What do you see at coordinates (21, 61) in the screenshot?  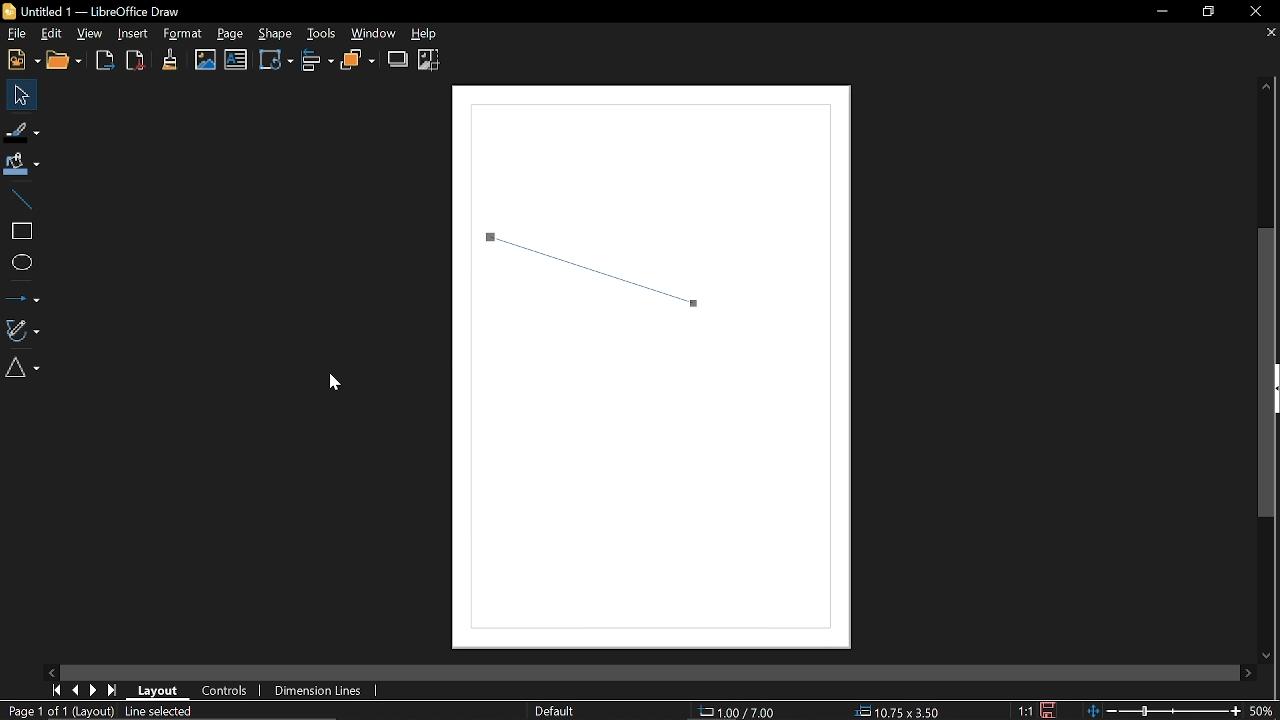 I see `New` at bounding box center [21, 61].